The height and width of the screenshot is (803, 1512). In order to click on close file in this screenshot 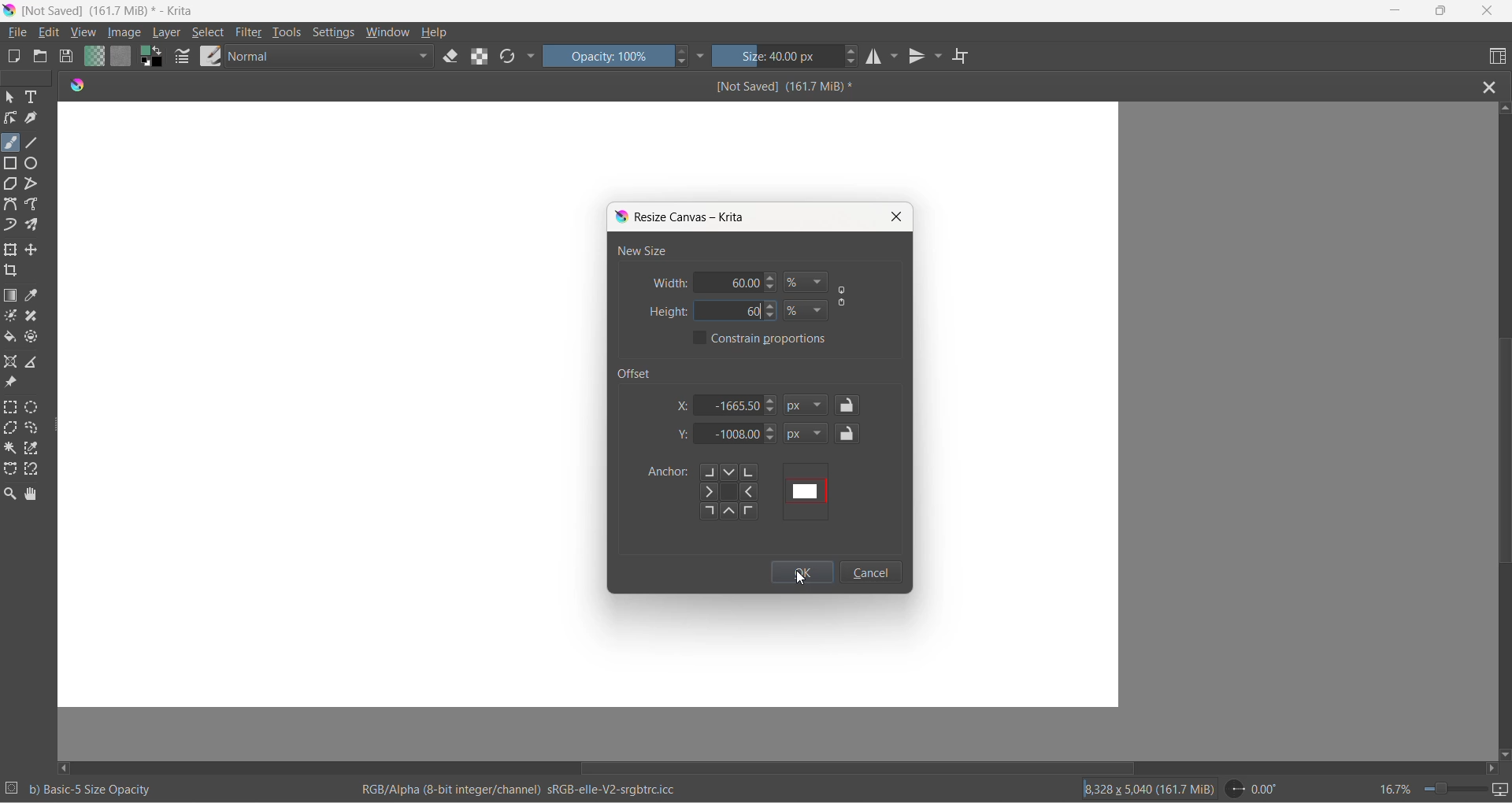, I will do `click(1494, 86)`.